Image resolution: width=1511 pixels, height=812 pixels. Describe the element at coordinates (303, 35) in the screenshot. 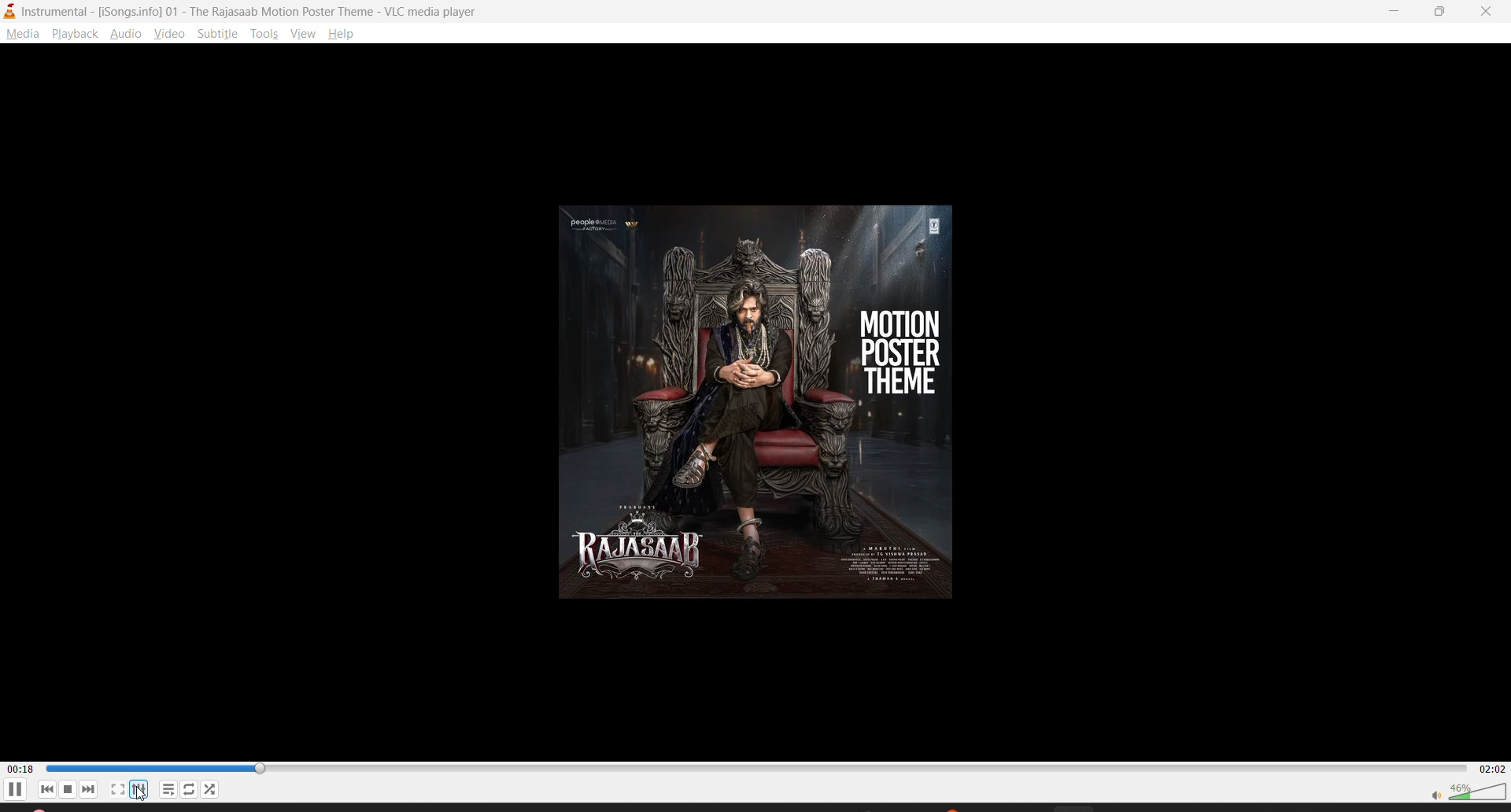

I see `view` at that location.